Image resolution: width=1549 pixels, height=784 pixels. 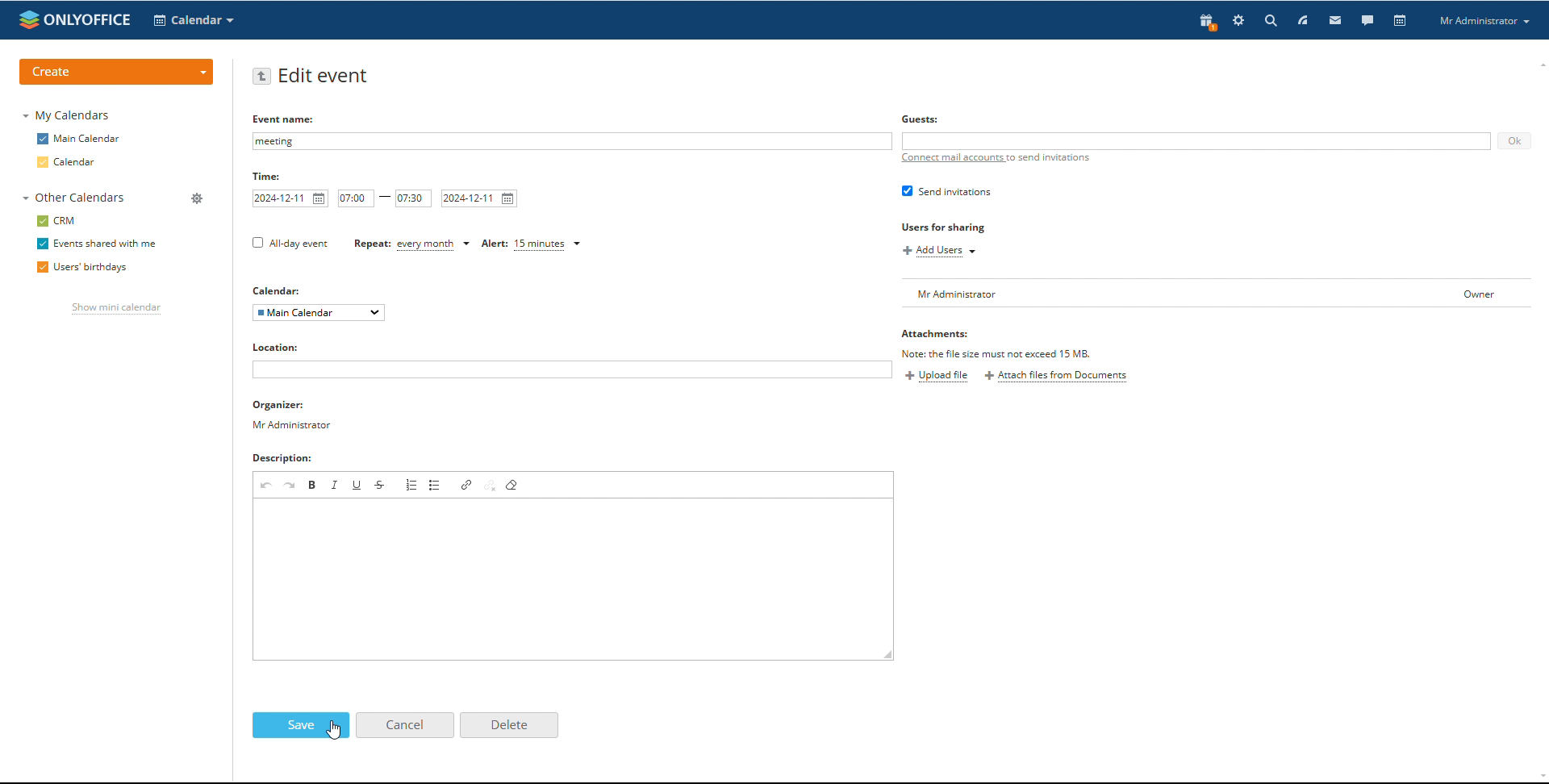 What do you see at coordinates (937, 377) in the screenshot?
I see `upload file` at bounding box center [937, 377].